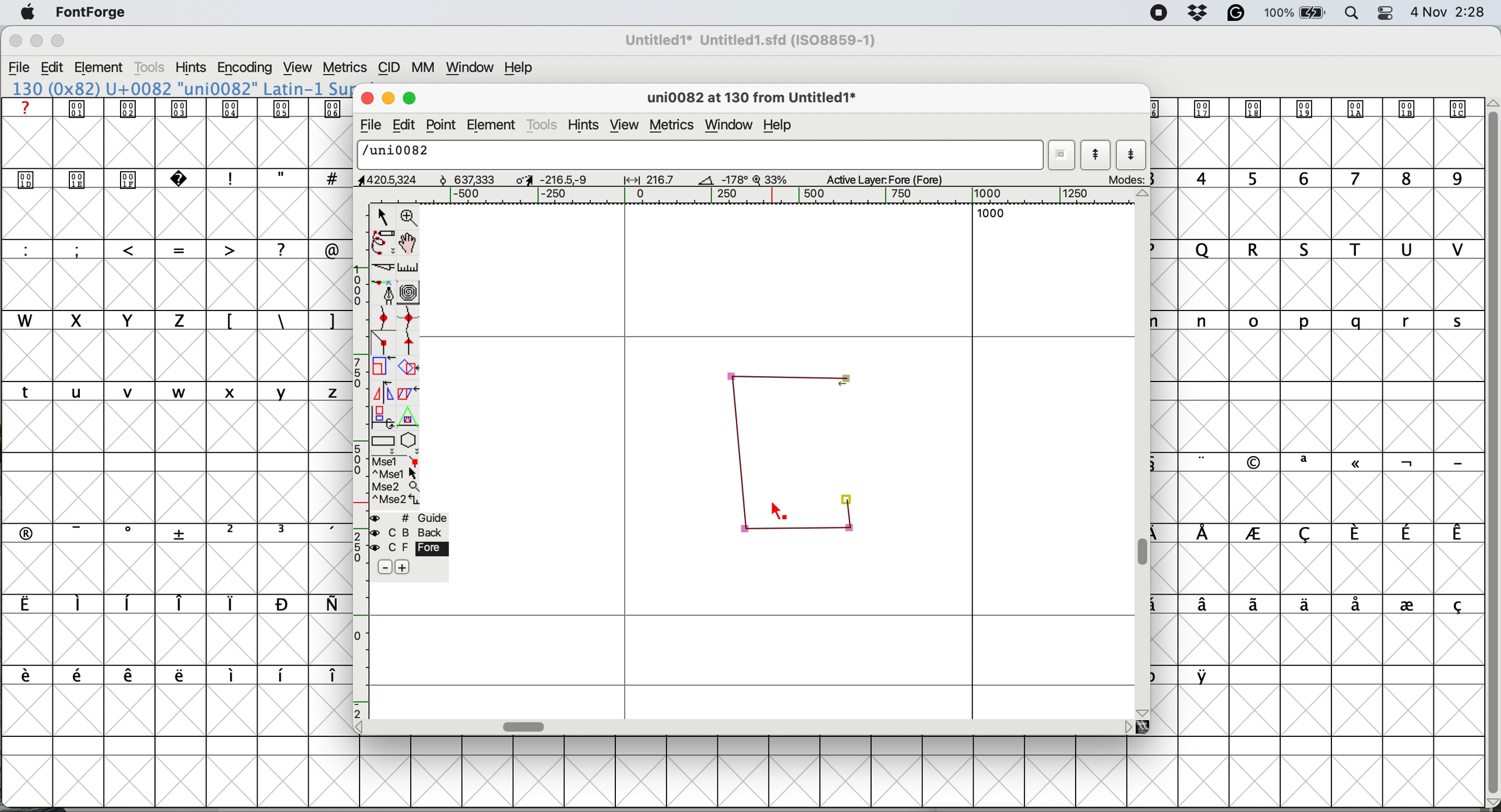  I want to click on view, so click(625, 126).